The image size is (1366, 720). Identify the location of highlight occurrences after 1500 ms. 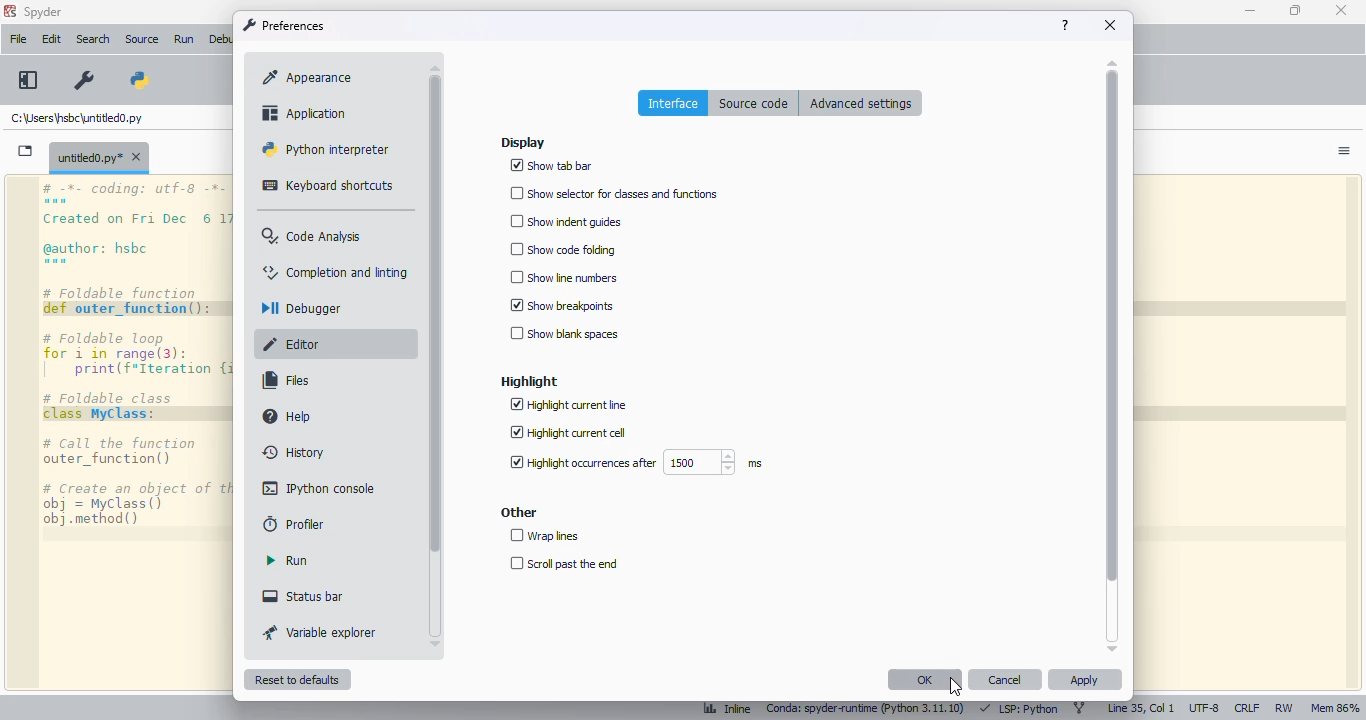
(634, 463).